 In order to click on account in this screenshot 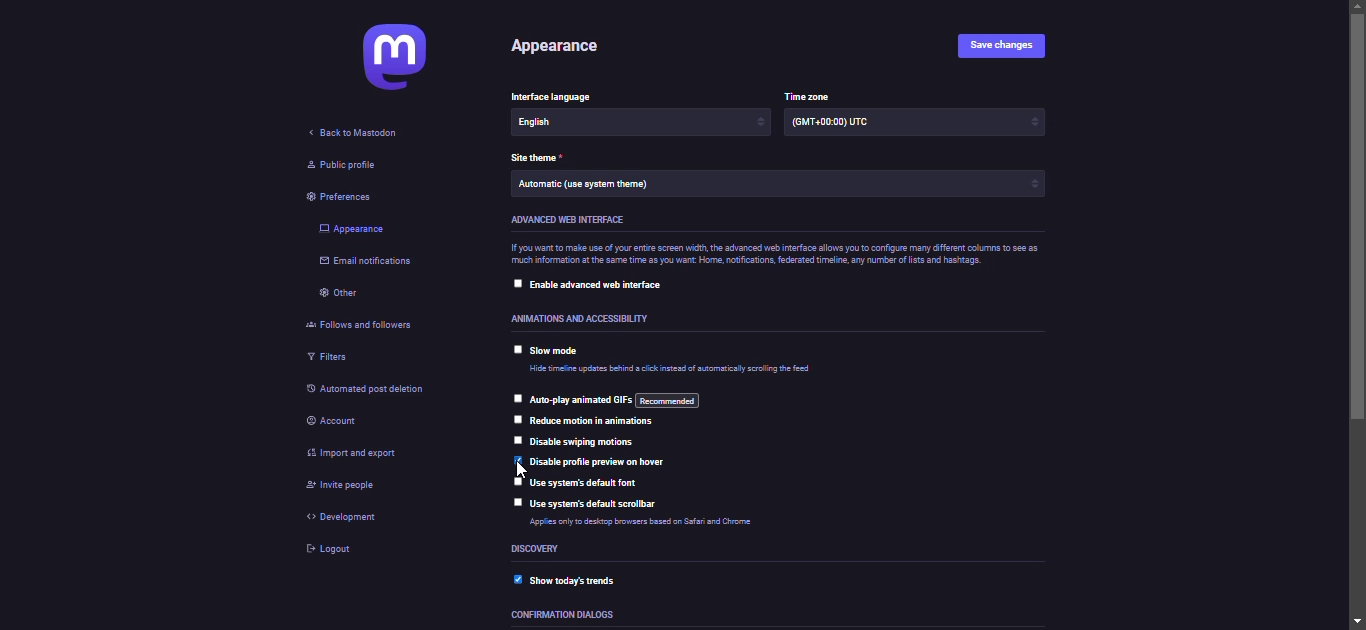, I will do `click(338, 418)`.